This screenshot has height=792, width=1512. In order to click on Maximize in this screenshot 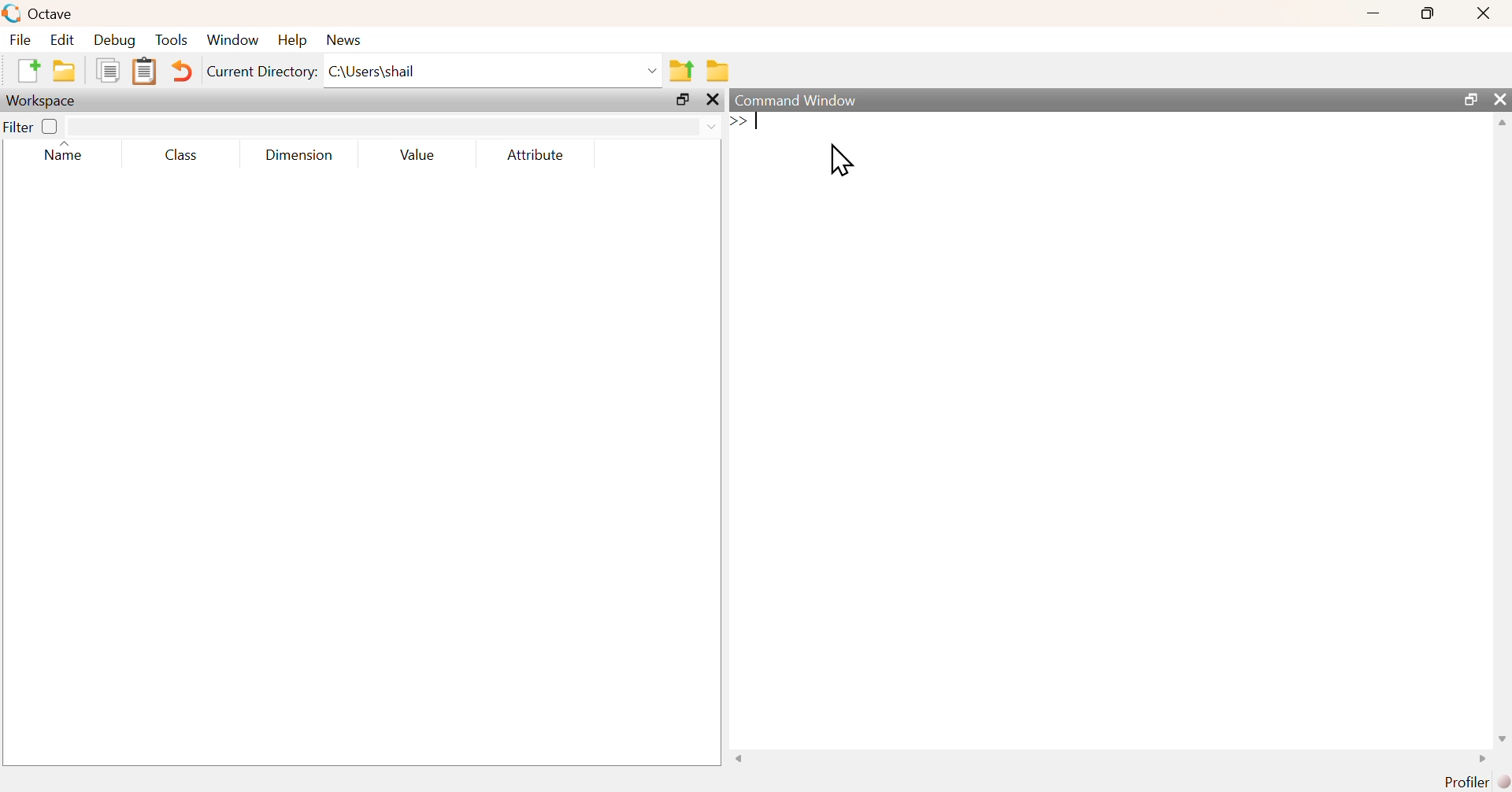, I will do `click(685, 102)`.